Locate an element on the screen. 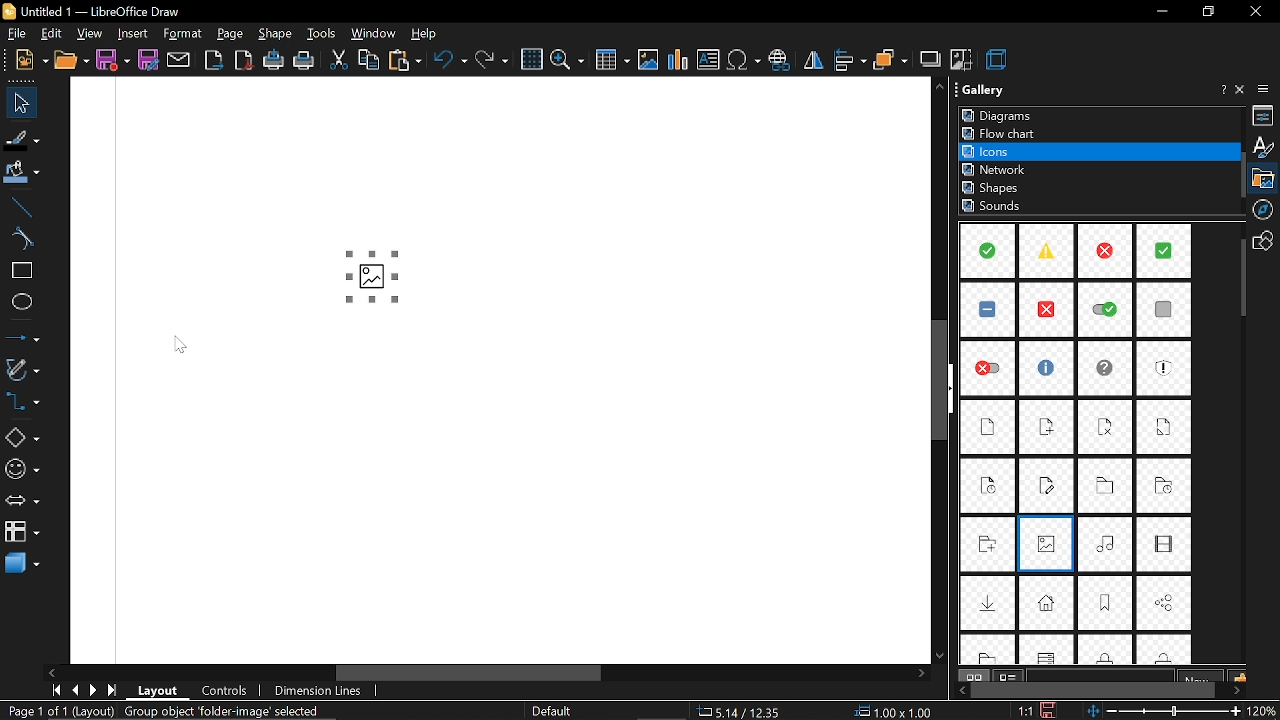 This screenshot has width=1280, height=720. 3d effect is located at coordinates (998, 60).